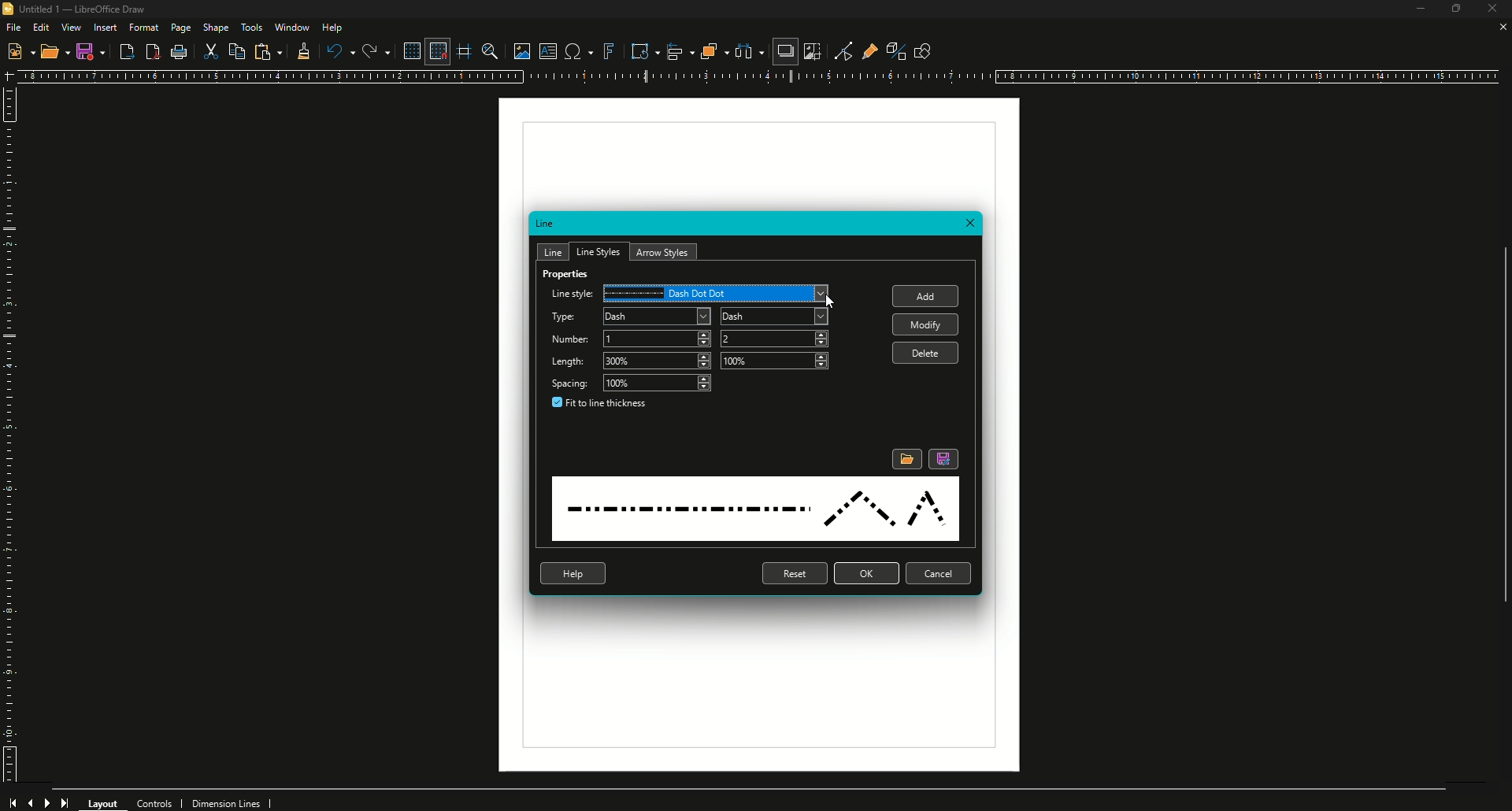 This screenshot has height=811, width=1512. Describe the element at coordinates (104, 802) in the screenshot. I see `Layout` at that location.